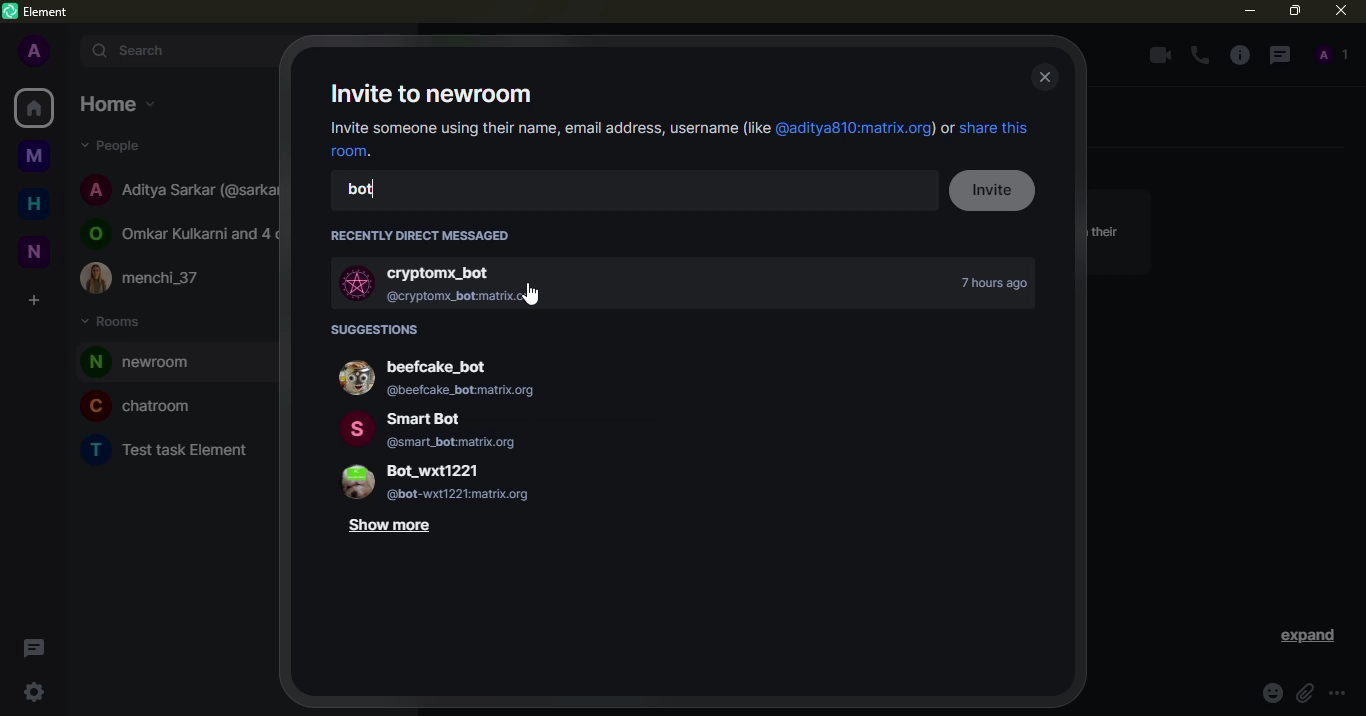  What do you see at coordinates (1281, 56) in the screenshot?
I see `threads` at bounding box center [1281, 56].